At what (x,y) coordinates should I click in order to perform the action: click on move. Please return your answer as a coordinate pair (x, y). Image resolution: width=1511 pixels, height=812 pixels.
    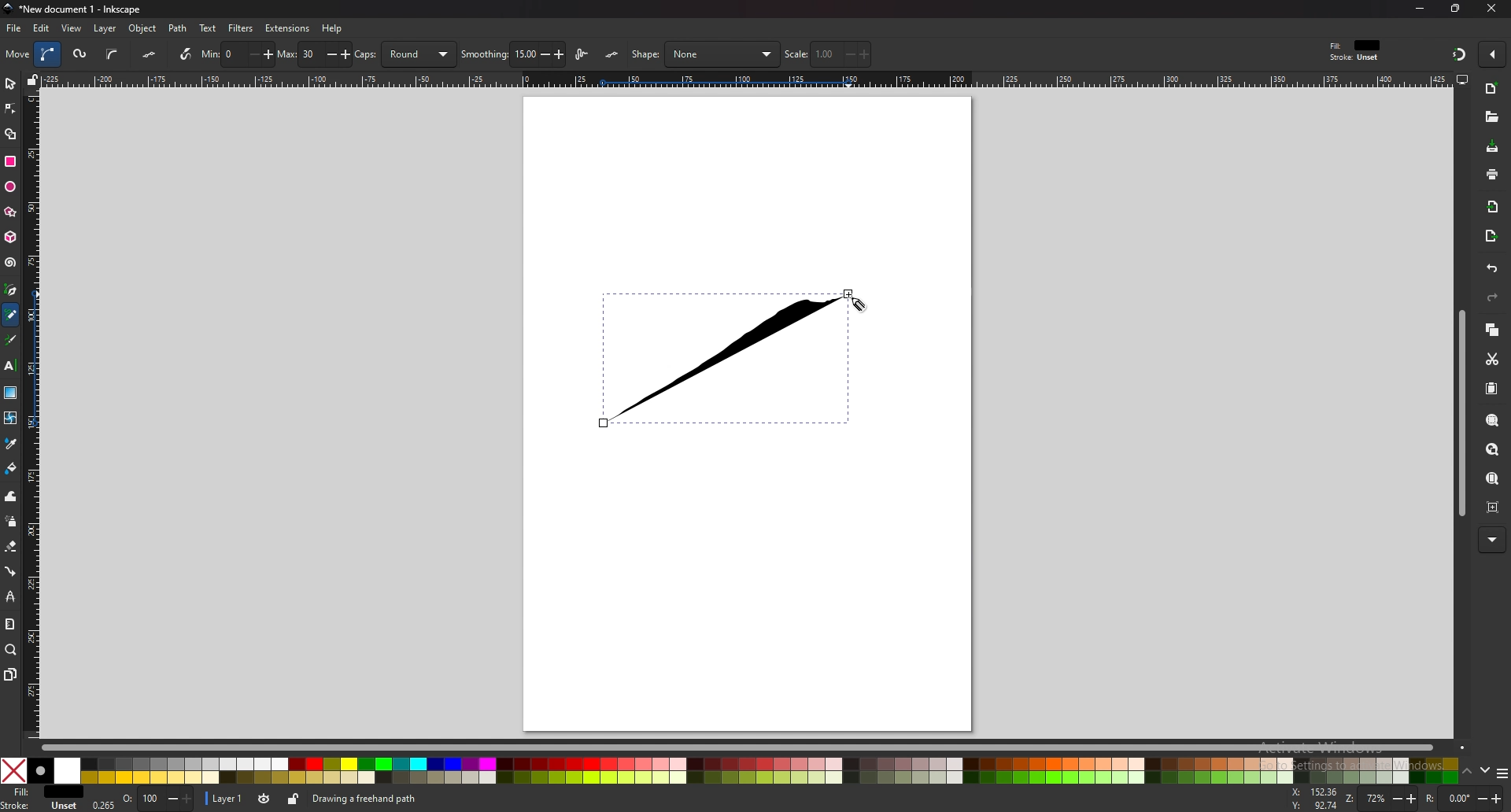
    Looking at the image, I should click on (17, 54).